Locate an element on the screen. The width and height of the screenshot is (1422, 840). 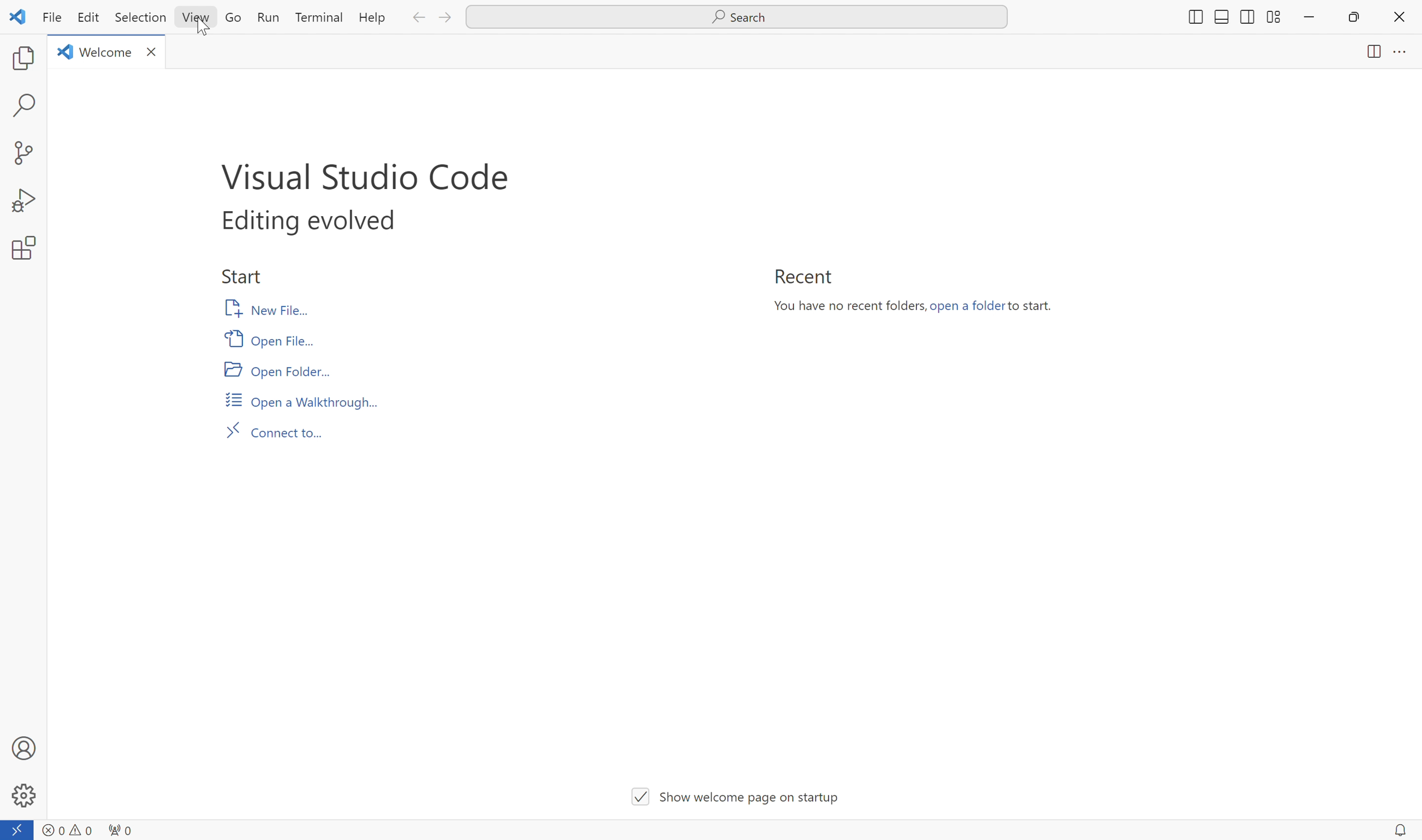
search is located at coordinates (24, 106).